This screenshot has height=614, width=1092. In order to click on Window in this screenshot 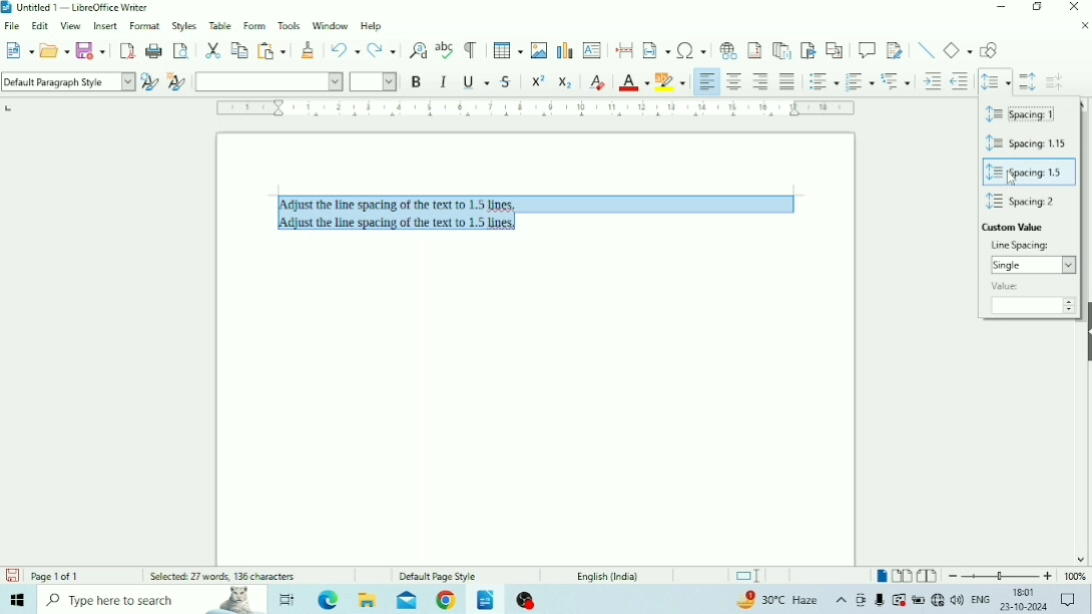, I will do `click(331, 24)`.